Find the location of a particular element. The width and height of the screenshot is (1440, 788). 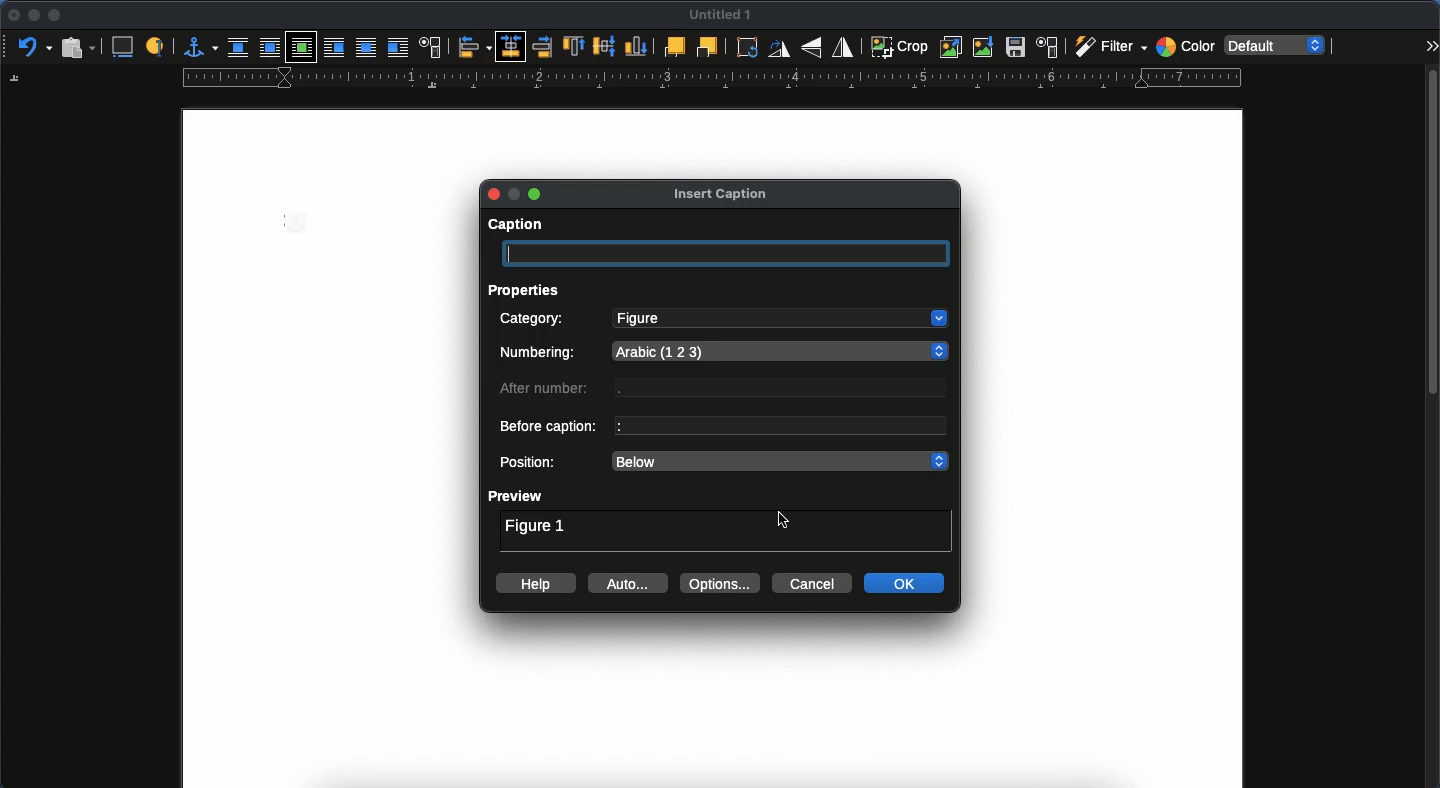

parallel is located at coordinates (269, 47).